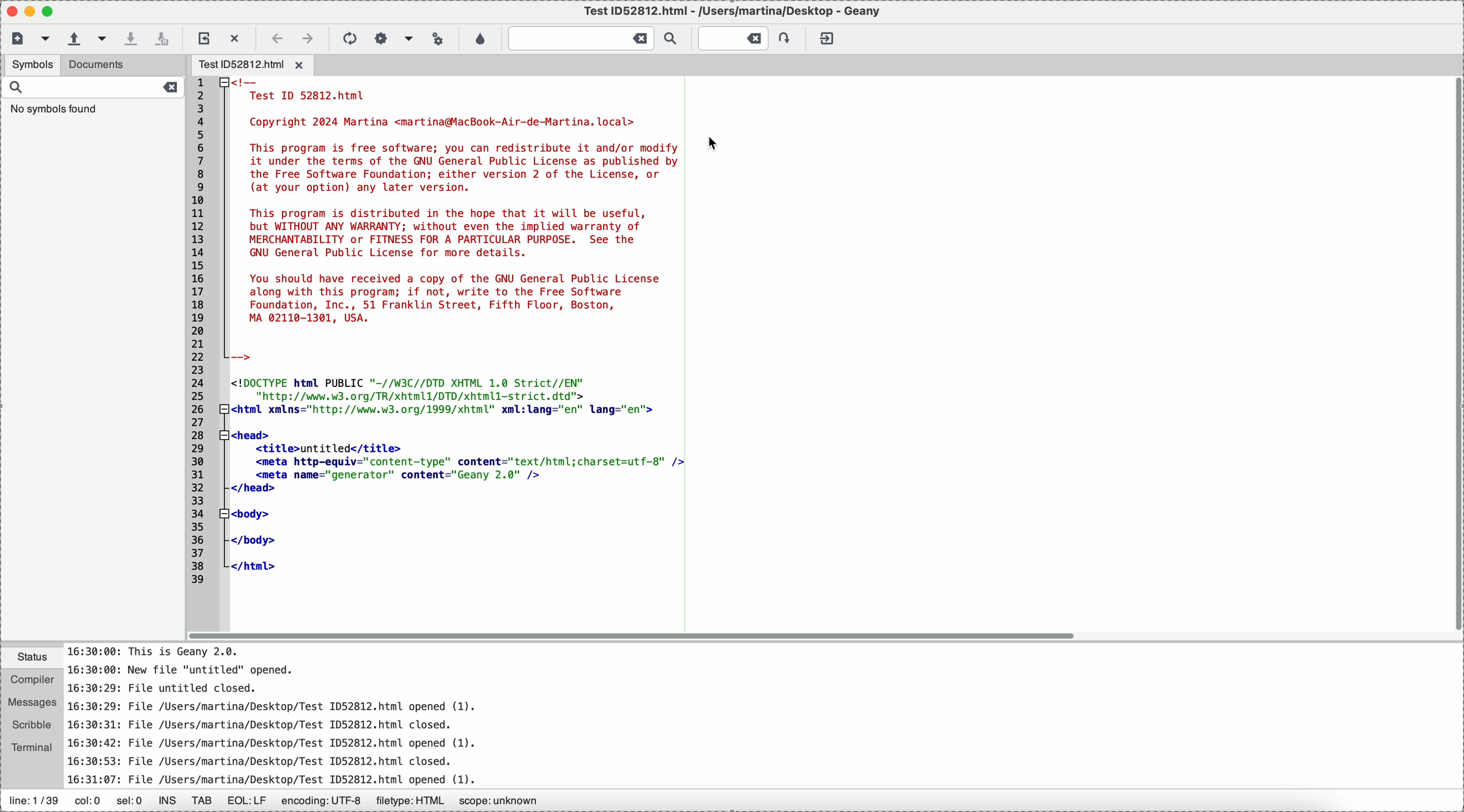 This screenshot has height=812, width=1464. What do you see at coordinates (204, 37) in the screenshot?
I see `reload the current file from disk` at bounding box center [204, 37].